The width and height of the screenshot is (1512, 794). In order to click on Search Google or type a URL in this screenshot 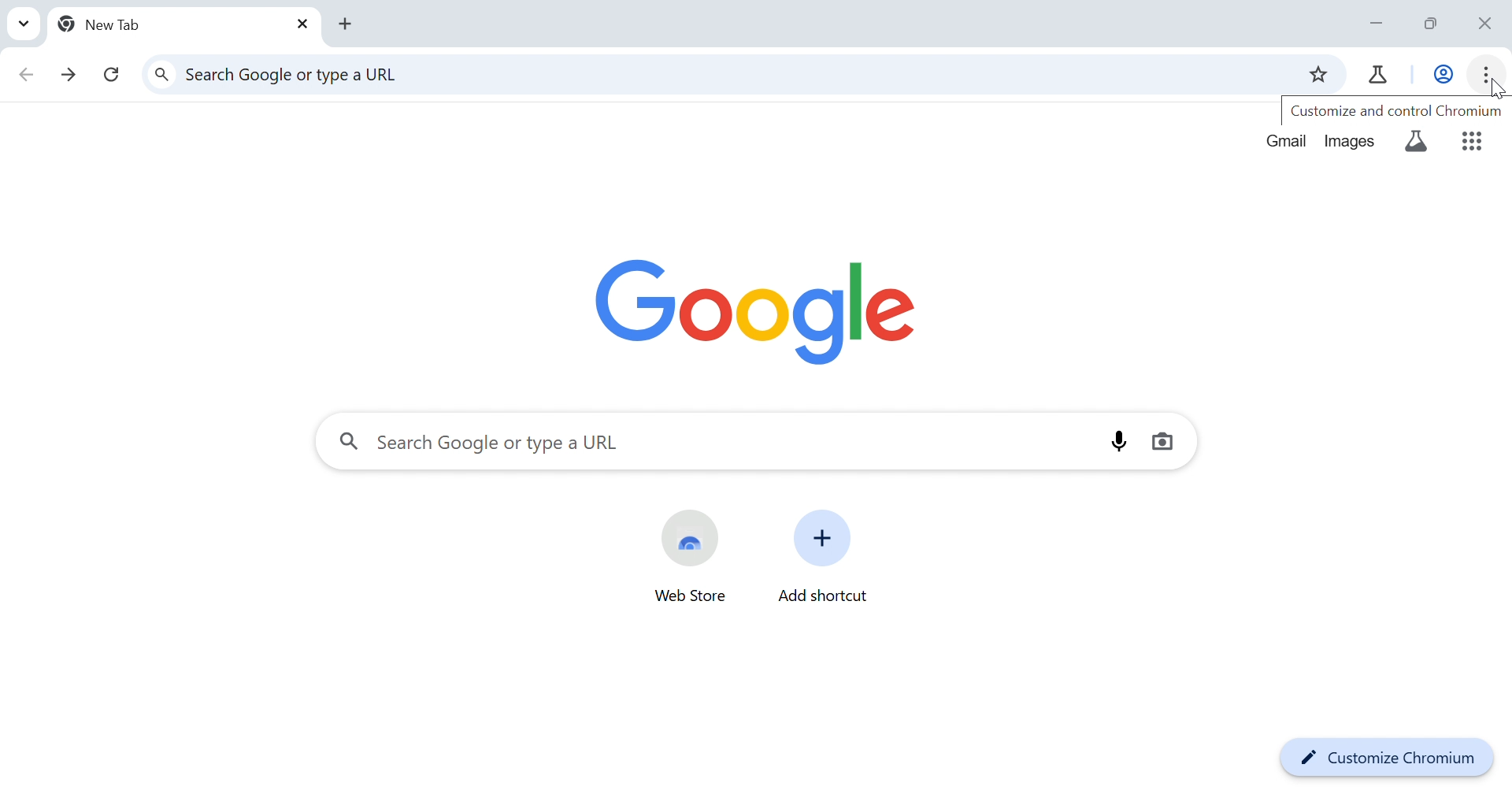, I will do `click(298, 74)`.